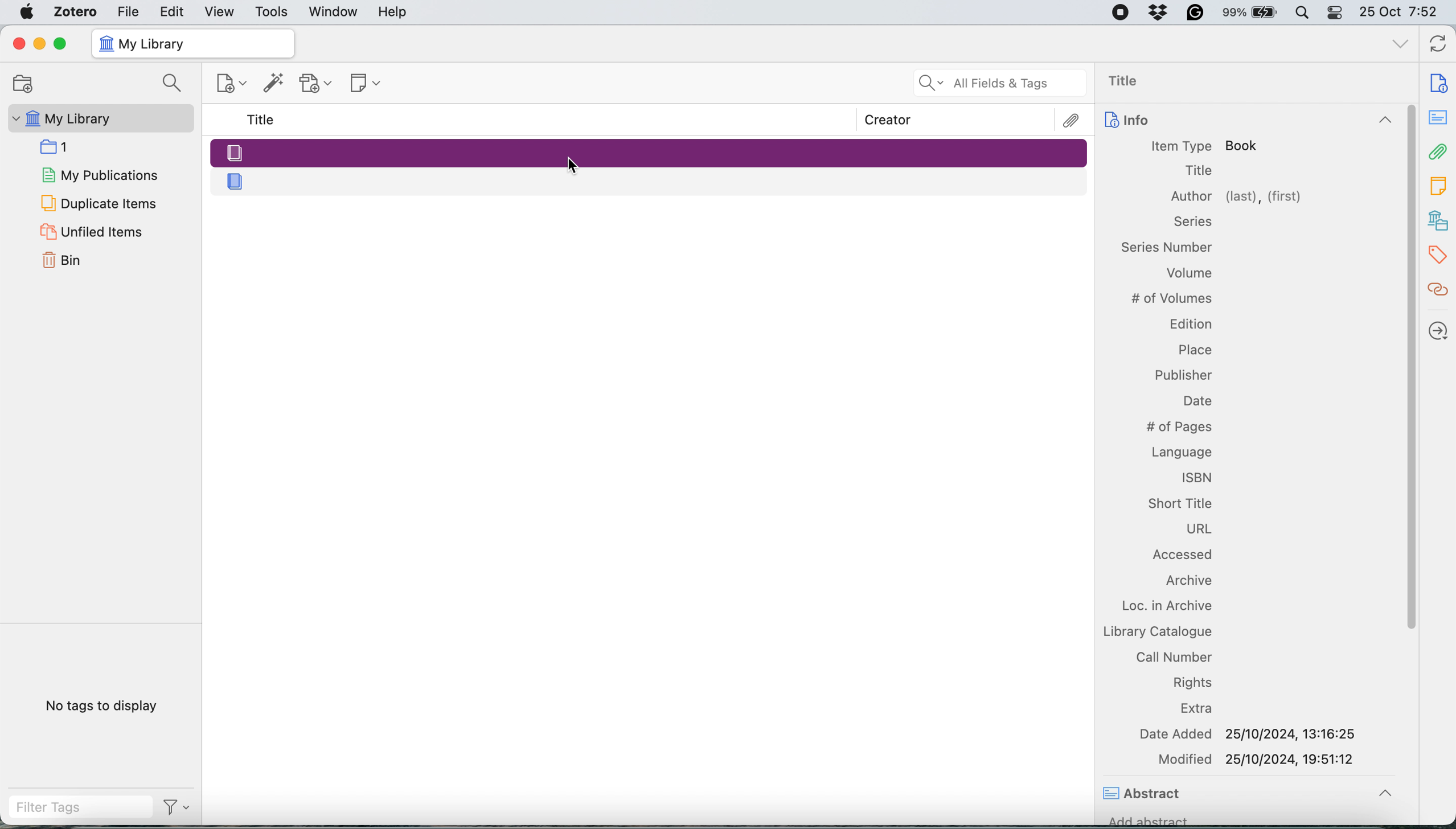 The height and width of the screenshot is (829, 1456). What do you see at coordinates (1159, 12) in the screenshot?
I see `Dropbox` at bounding box center [1159, 12].